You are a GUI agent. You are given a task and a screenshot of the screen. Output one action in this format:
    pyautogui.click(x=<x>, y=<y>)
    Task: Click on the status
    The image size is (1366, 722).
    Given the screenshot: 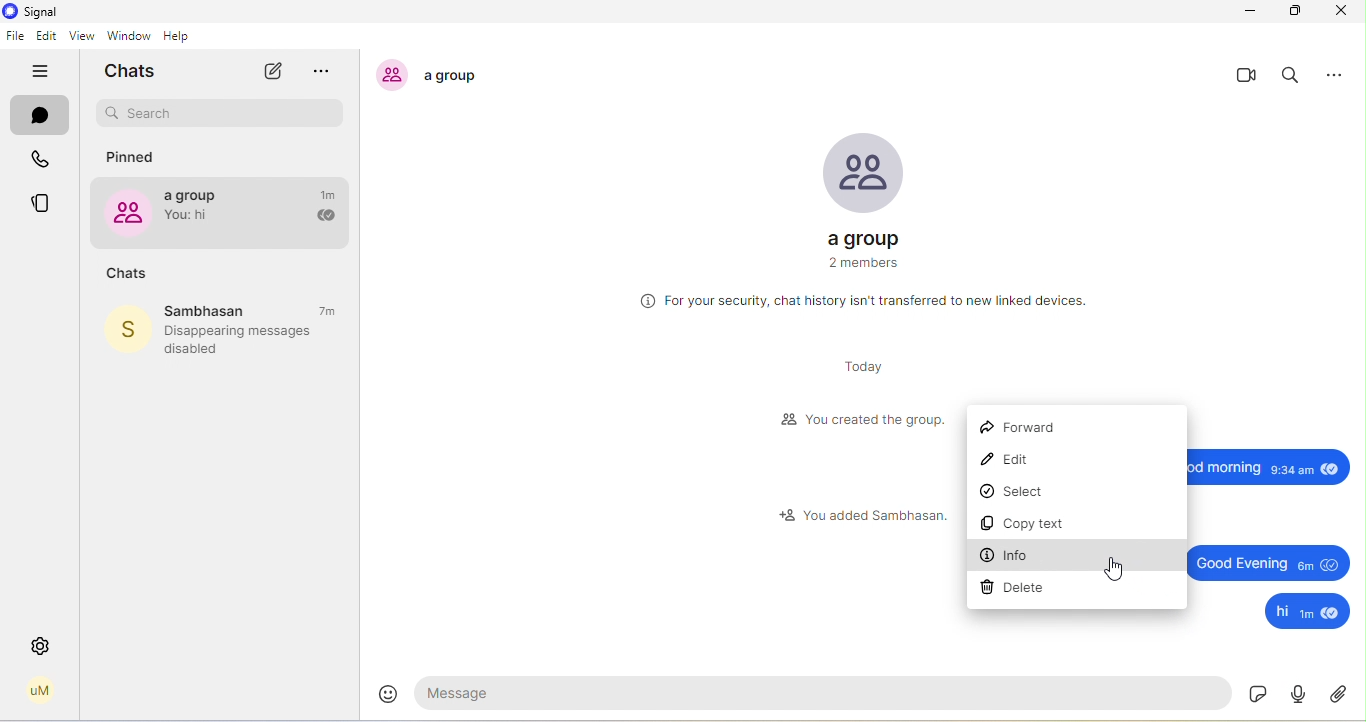 What is the action you would take?
    pyautogui.click(x=44, y=204)
    